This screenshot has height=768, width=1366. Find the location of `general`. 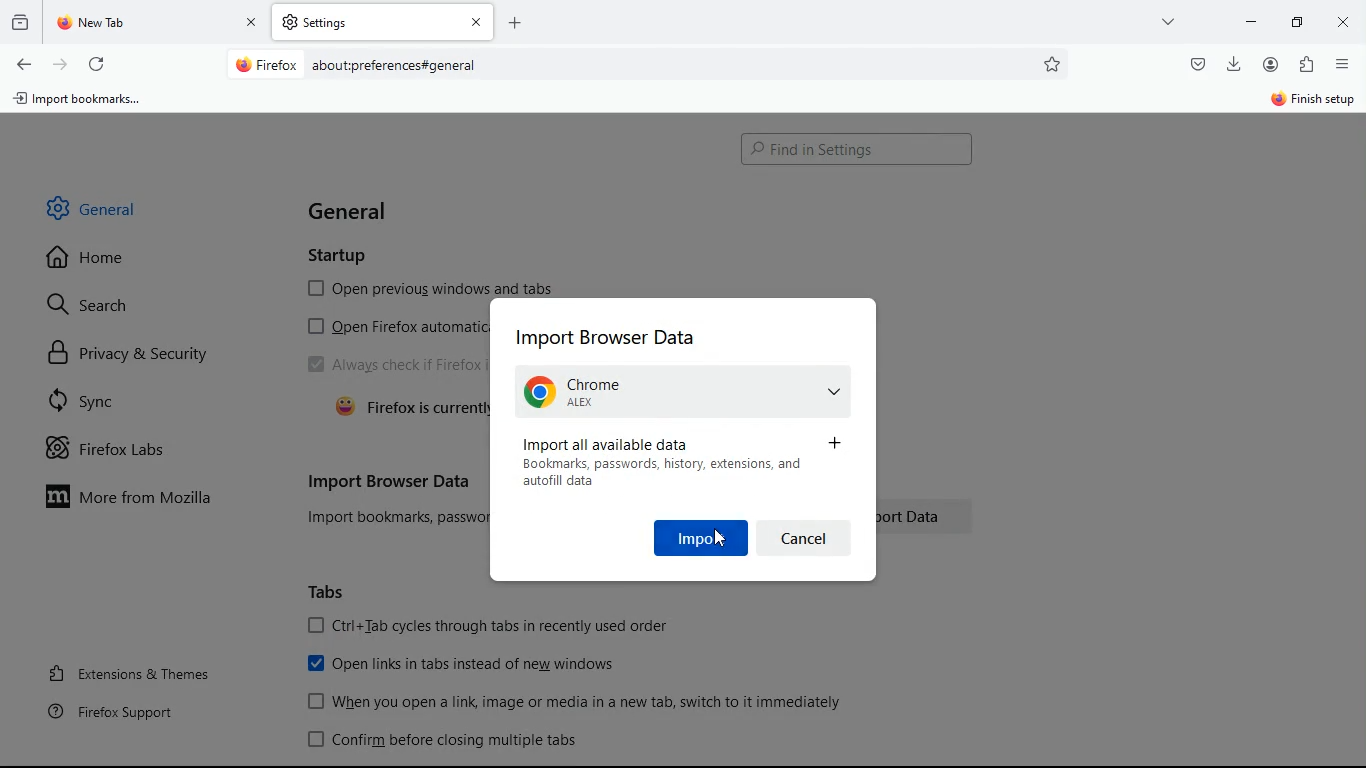

general is located at coordinates (111, 207).